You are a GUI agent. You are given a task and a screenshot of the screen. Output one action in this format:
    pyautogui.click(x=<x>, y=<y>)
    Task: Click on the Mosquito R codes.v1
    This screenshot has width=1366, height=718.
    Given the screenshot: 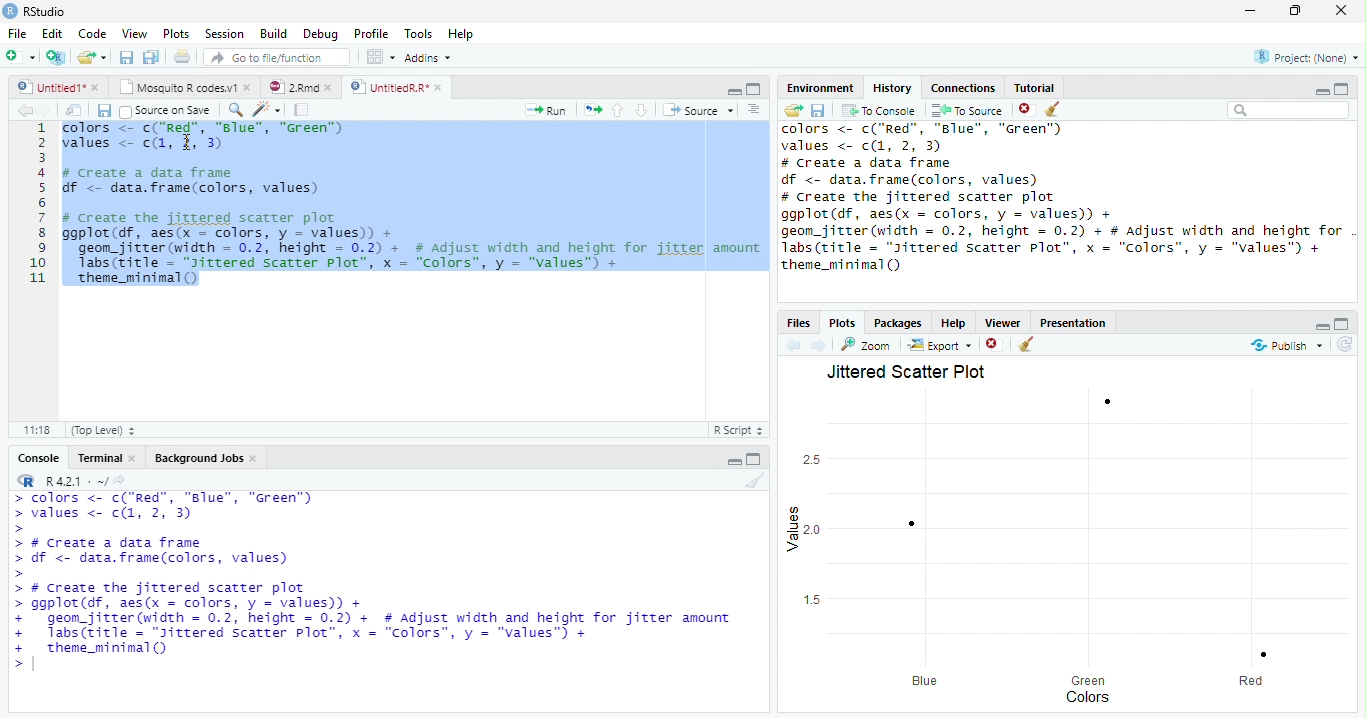 What is the action you would take?
    pyautogui.click(x=175, y=87)
    